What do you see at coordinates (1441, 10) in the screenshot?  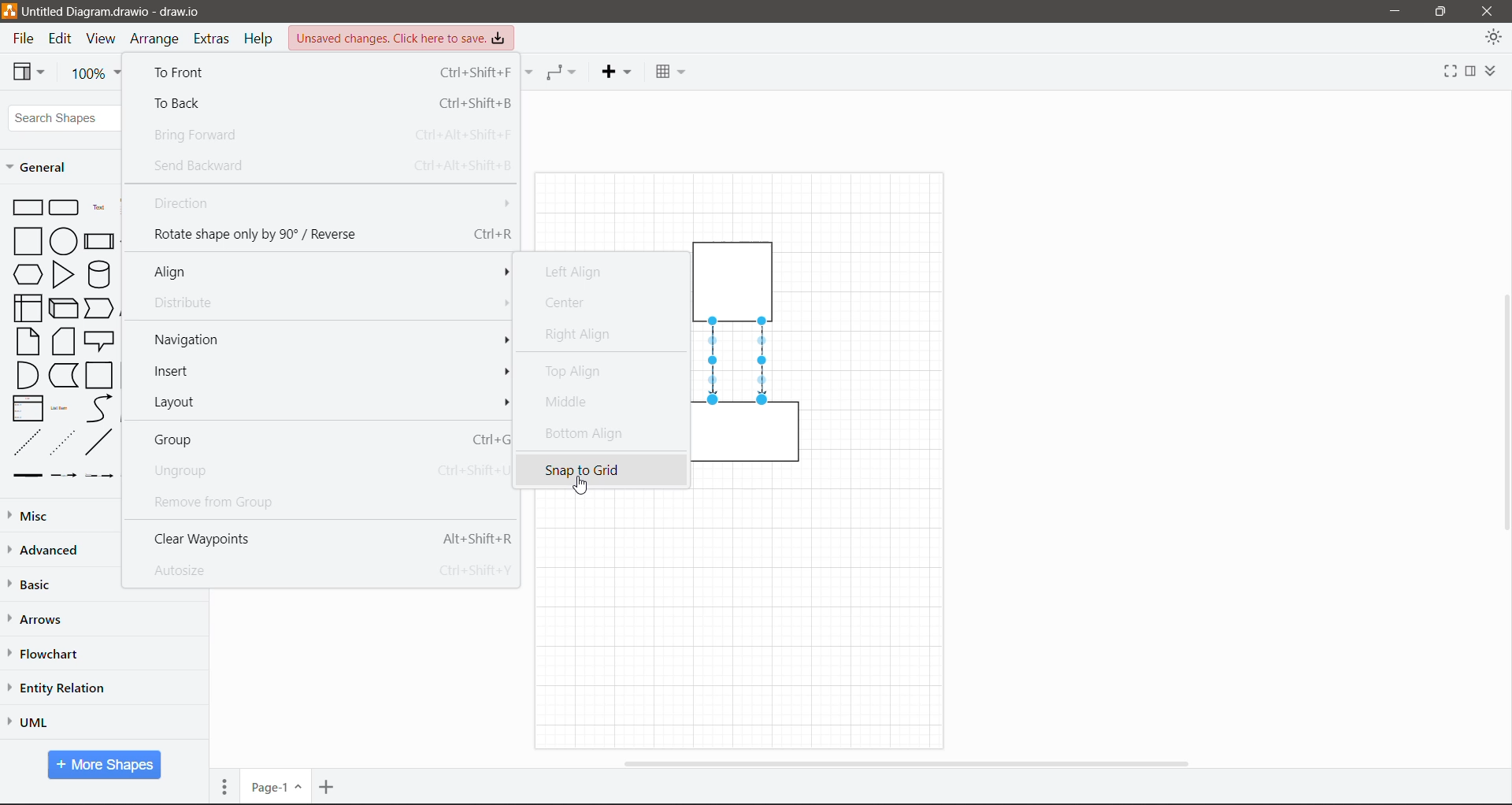 I see `Restore Down` at bounding box center [1441, 10].